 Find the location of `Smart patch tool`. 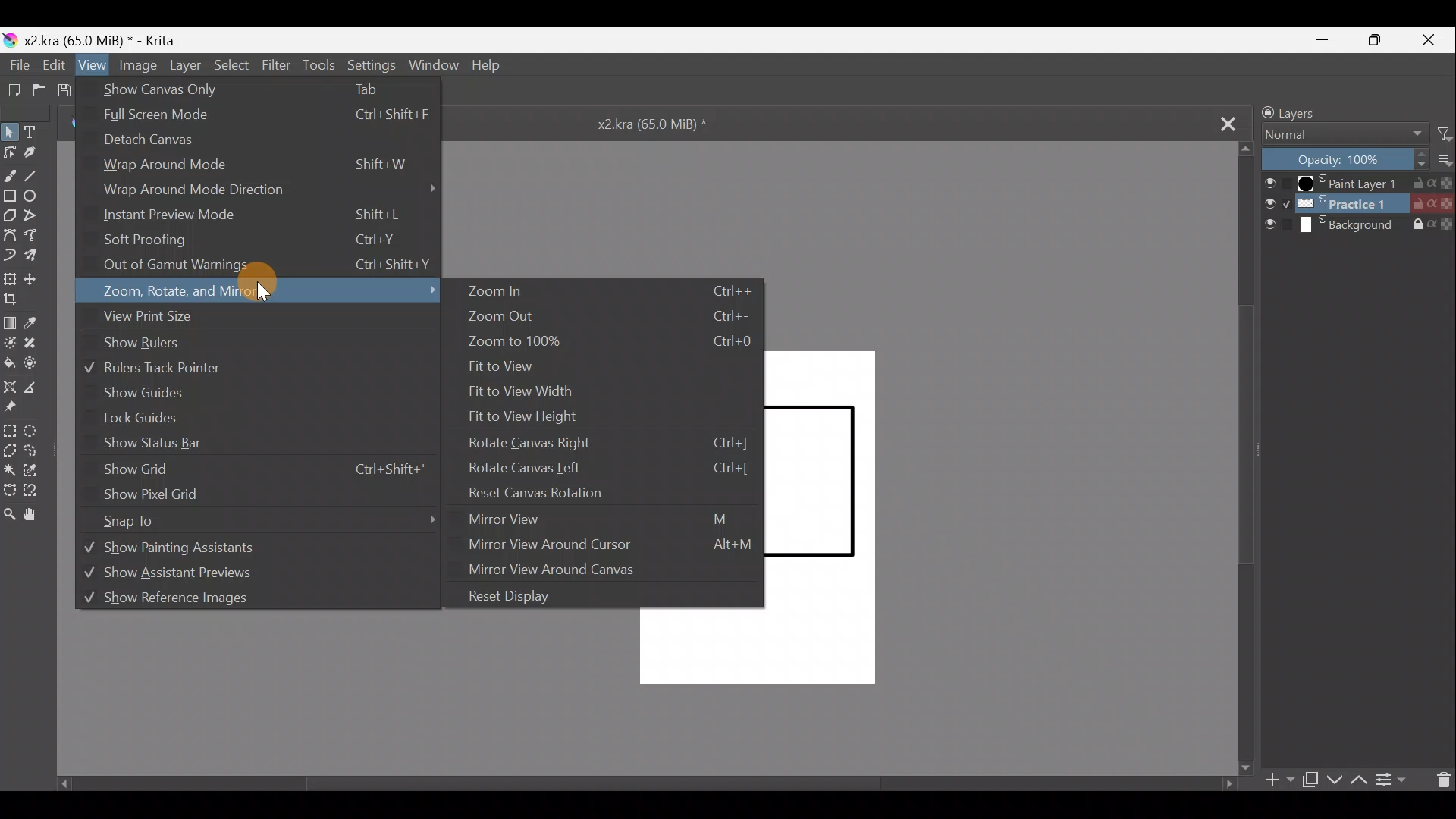

Smart patch tool is located at coordinates (39, 347).